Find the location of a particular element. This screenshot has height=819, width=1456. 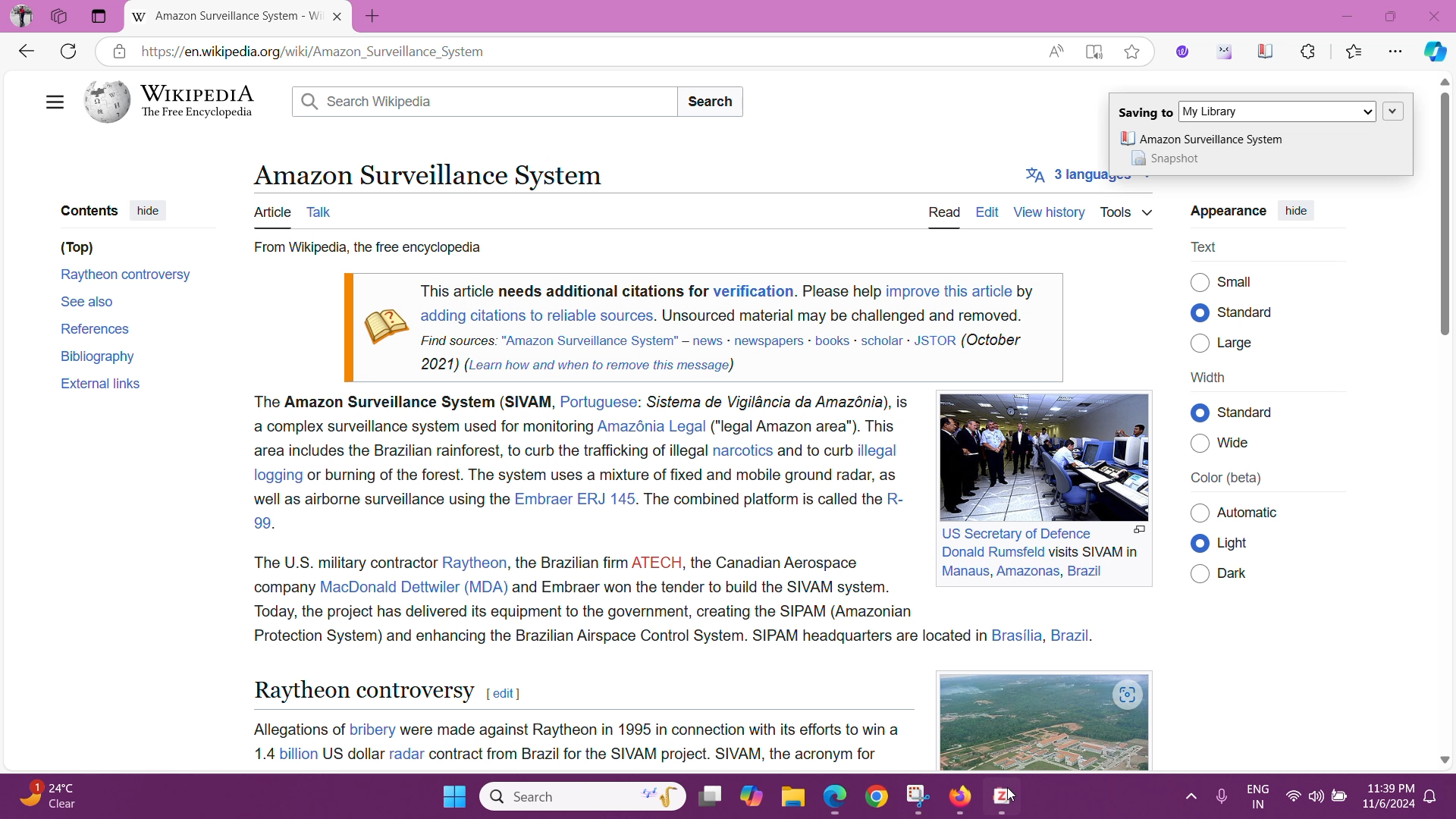

snipping tool is located at coordinates (917, 795).